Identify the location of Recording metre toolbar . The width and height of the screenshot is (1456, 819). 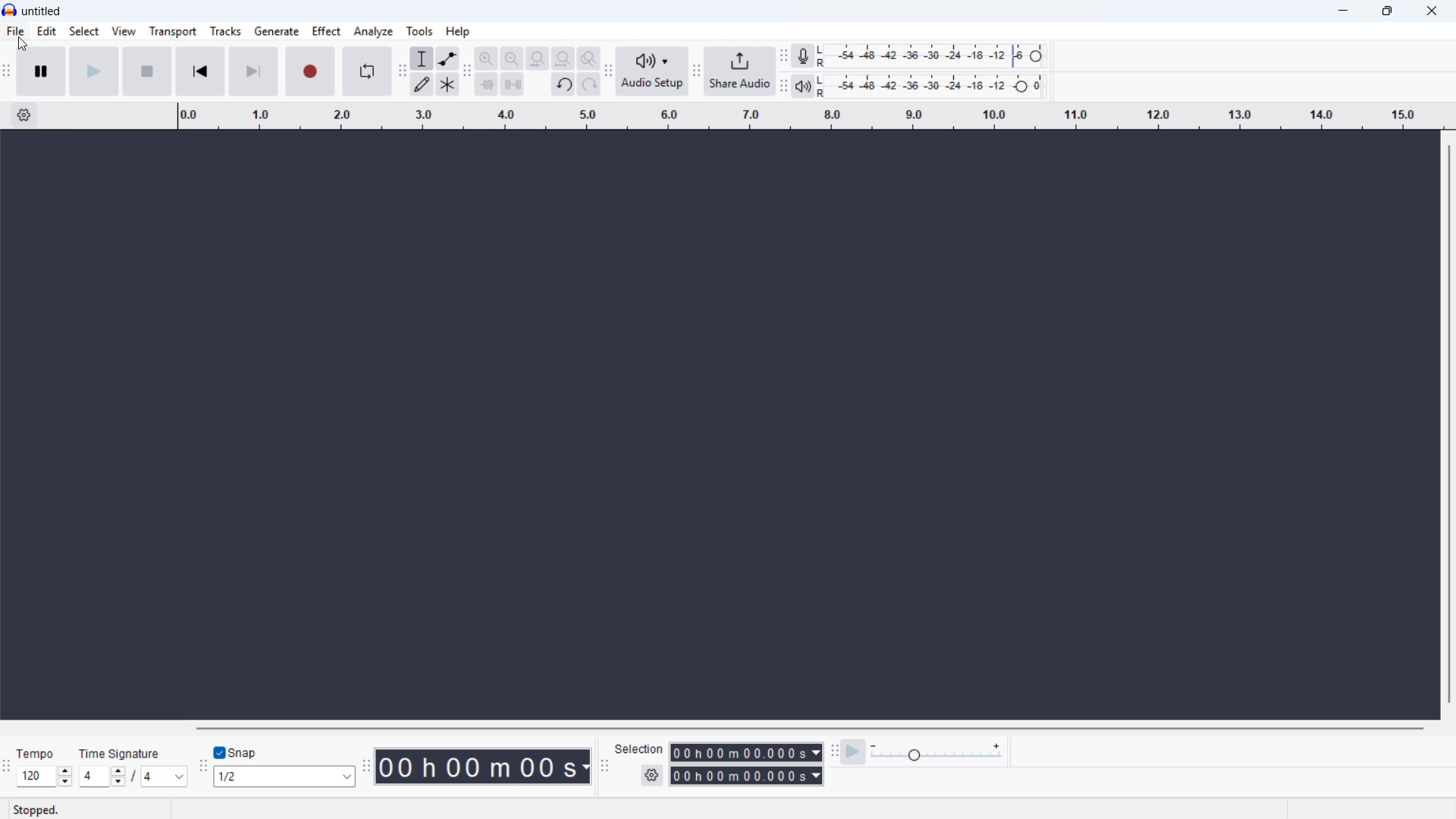
(784, 56).